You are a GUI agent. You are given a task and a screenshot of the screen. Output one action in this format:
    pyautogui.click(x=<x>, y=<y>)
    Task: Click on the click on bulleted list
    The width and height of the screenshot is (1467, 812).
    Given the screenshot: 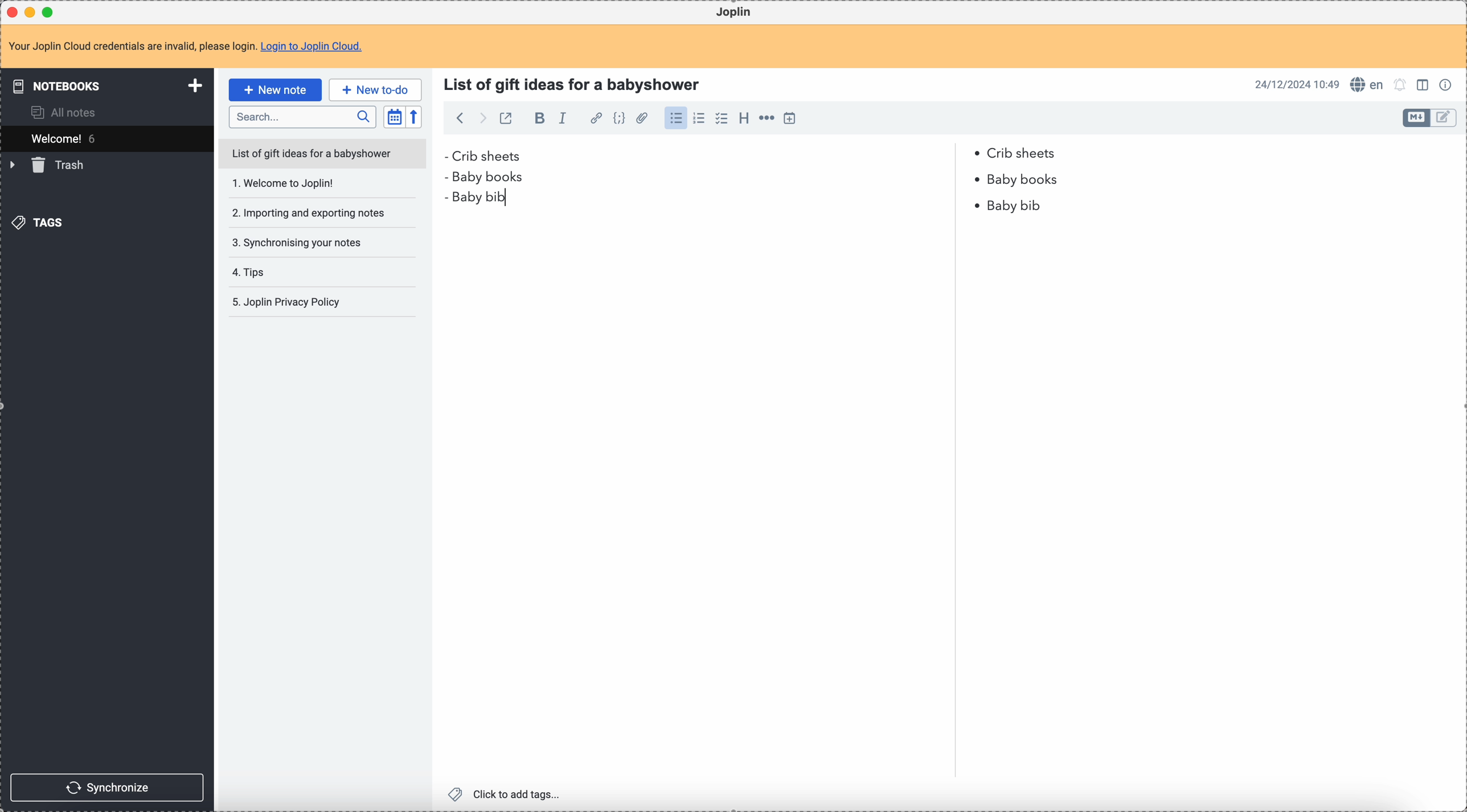 What is the action you would take?
    pyautogui.click(x=679, y=119)
    